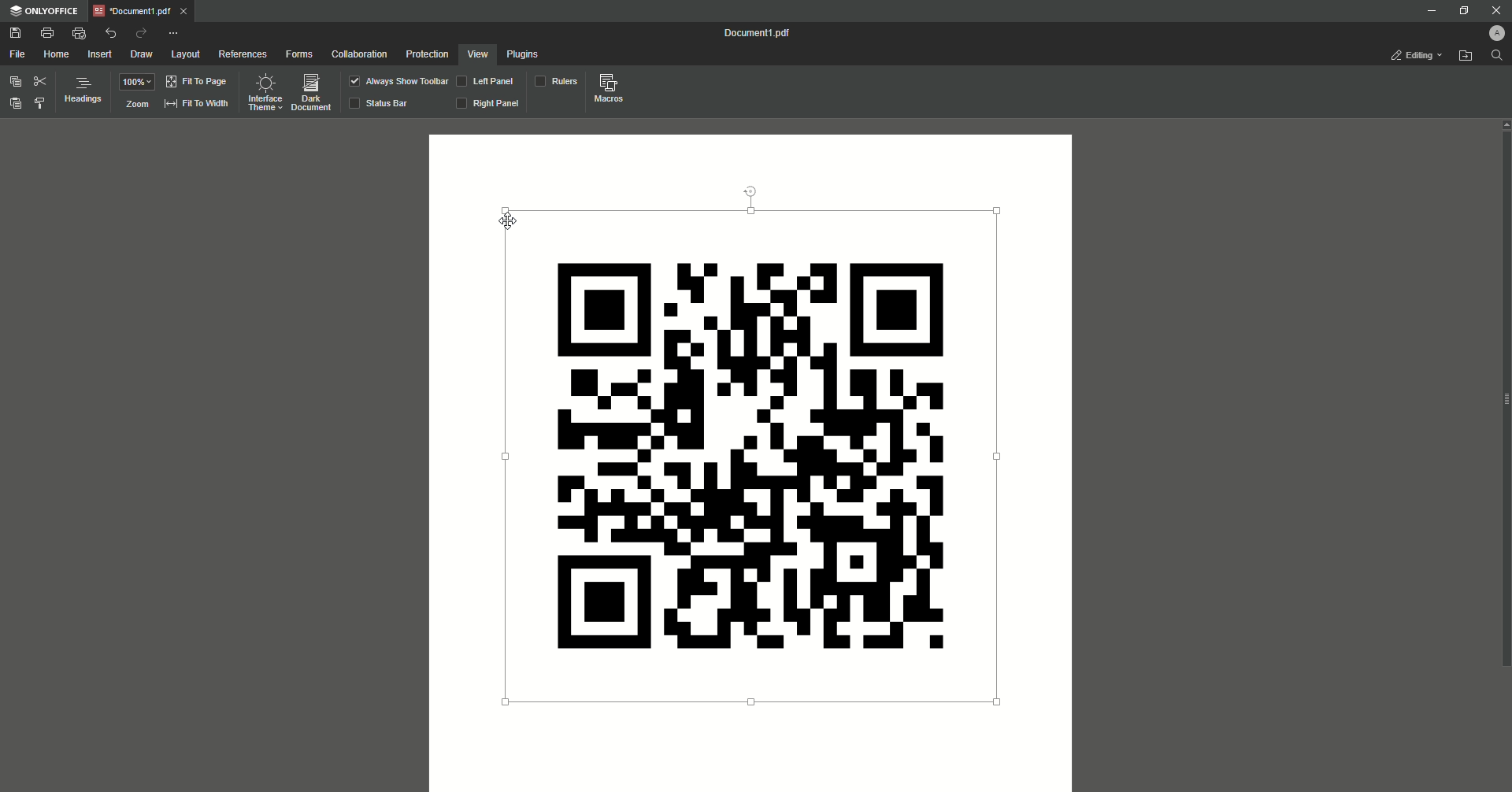 This screenshot has height=792, width=1512. What do you see at coordinates (141, 33) in the screenshot?
I see `Redo` at bounding box center [141, 33].